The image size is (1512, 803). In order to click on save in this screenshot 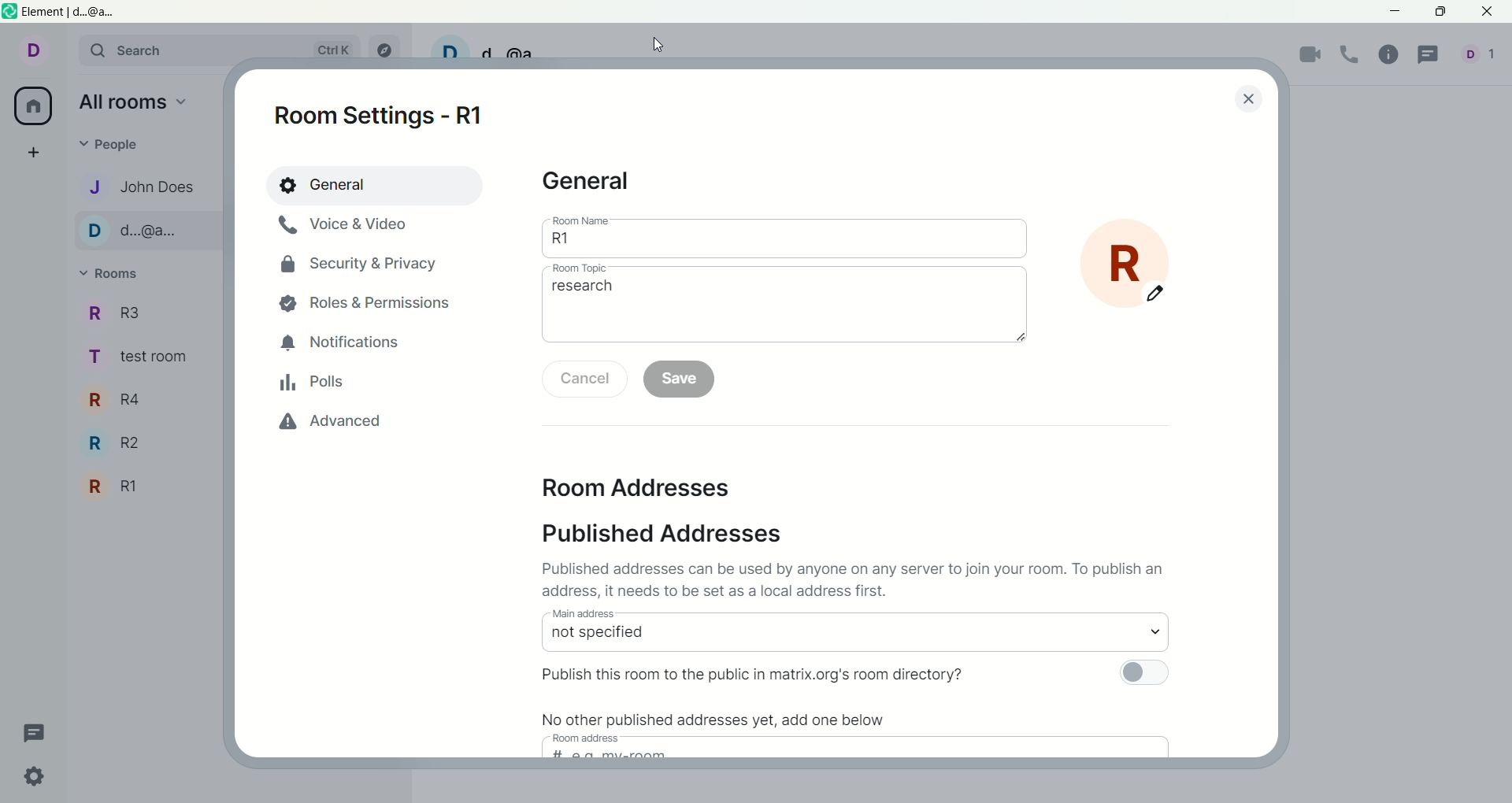, I will do `click(682, 382)`.